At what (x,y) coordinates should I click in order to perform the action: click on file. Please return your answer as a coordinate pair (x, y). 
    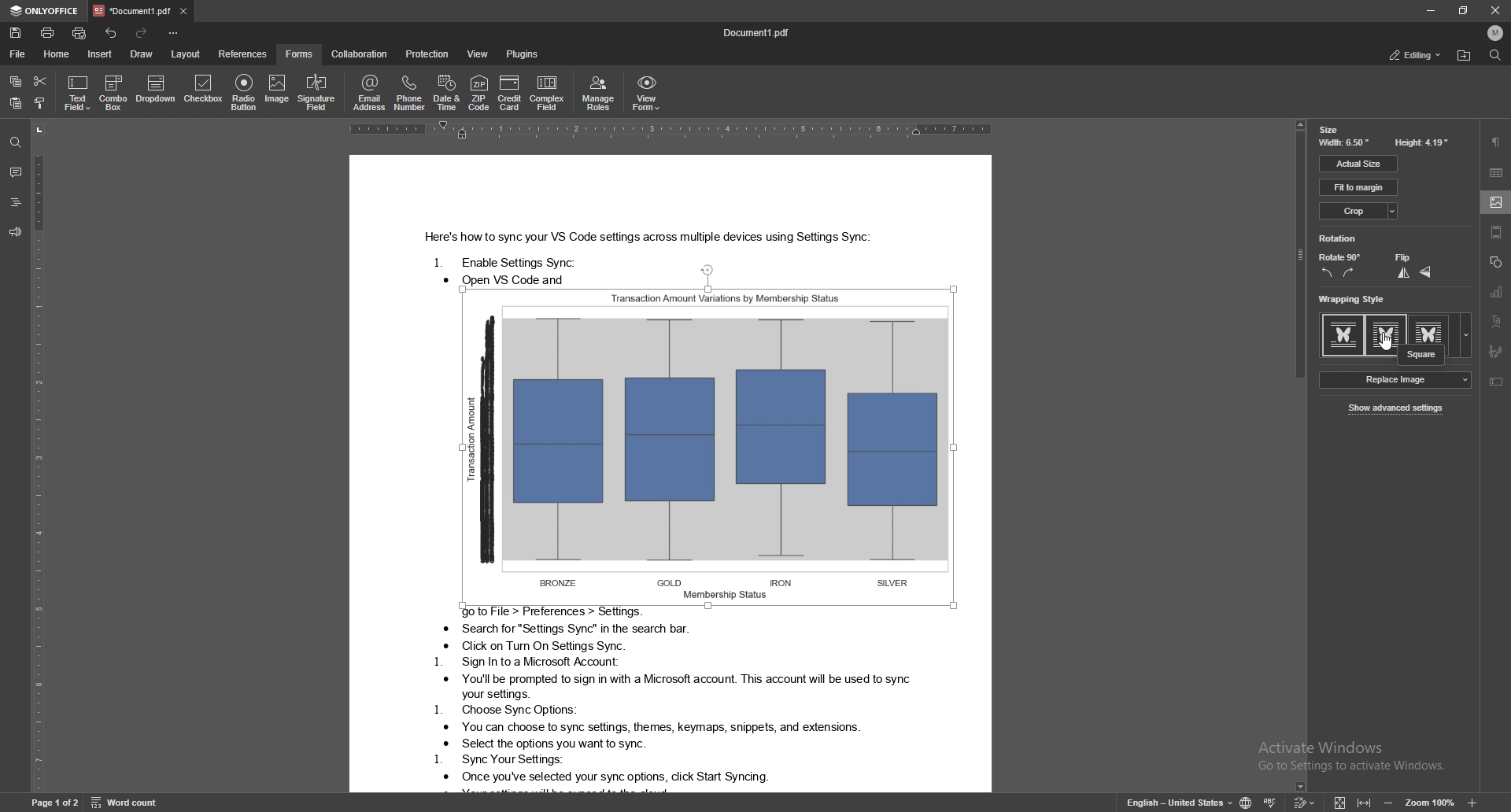
    Looking at the image, I should click on (19, 54).